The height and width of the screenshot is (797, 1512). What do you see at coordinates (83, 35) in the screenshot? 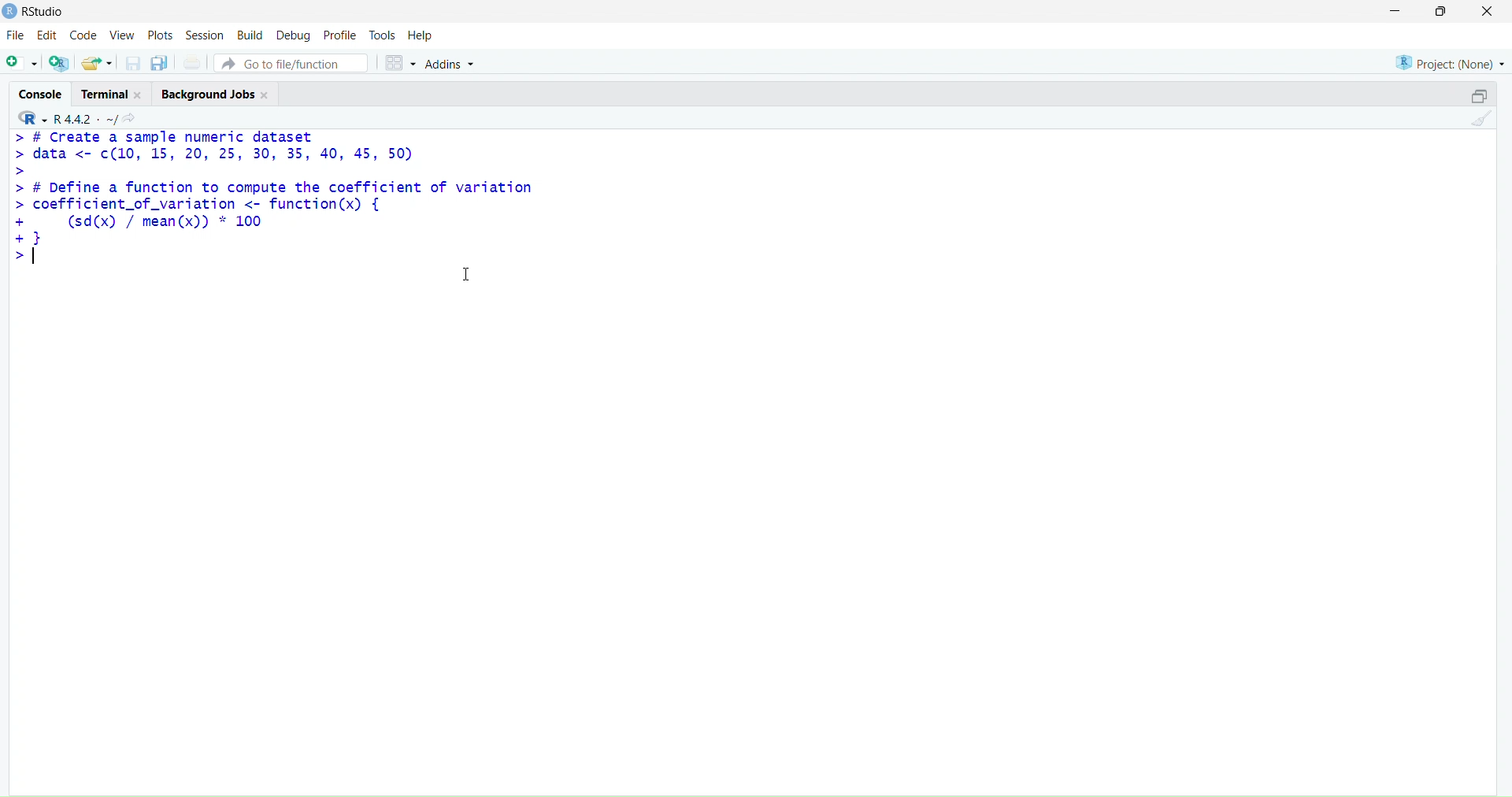
I see `code` at bounding box center [83, 35].